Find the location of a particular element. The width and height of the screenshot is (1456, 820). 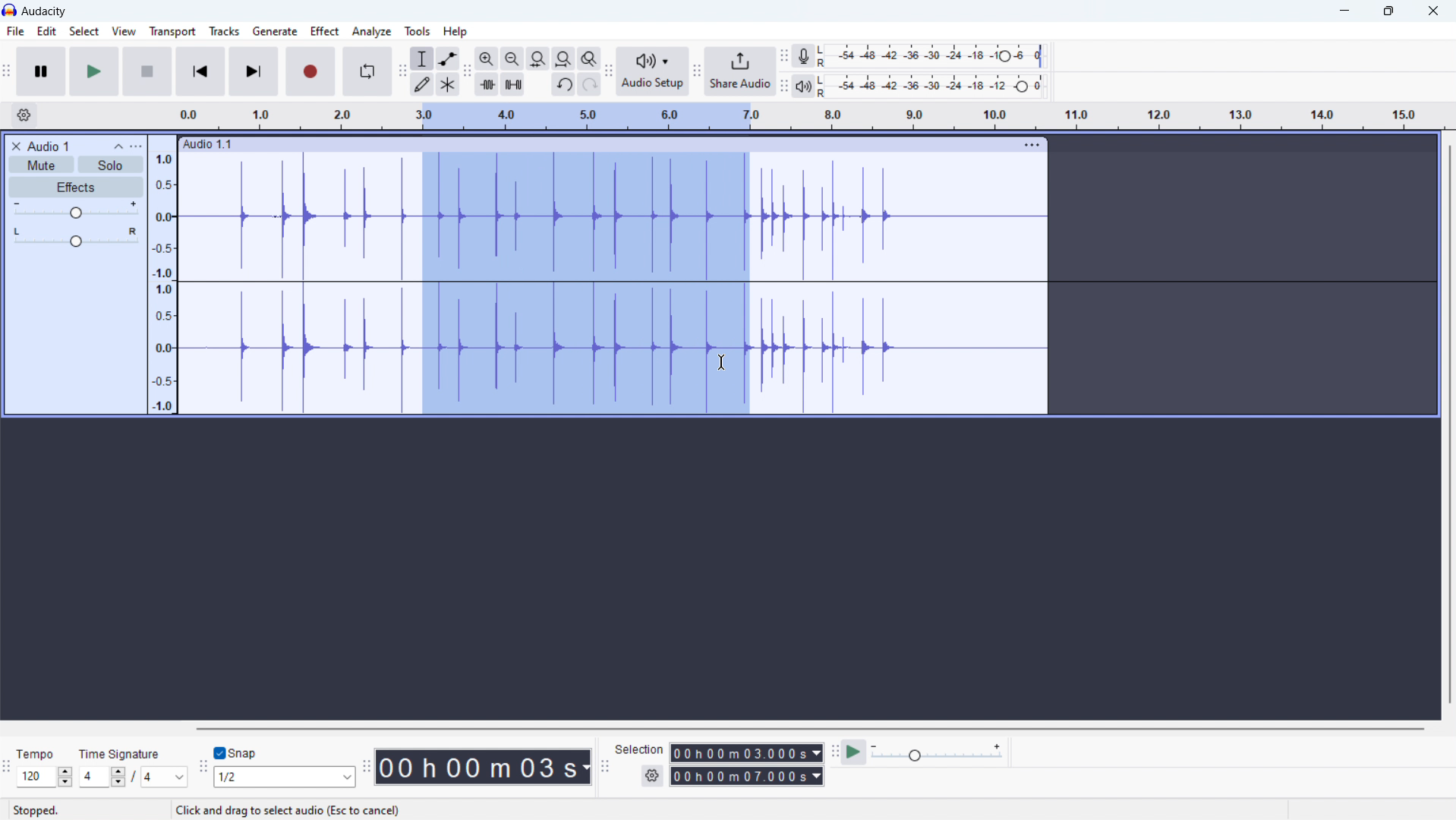

zoom in is located at coordinates (487, 58).